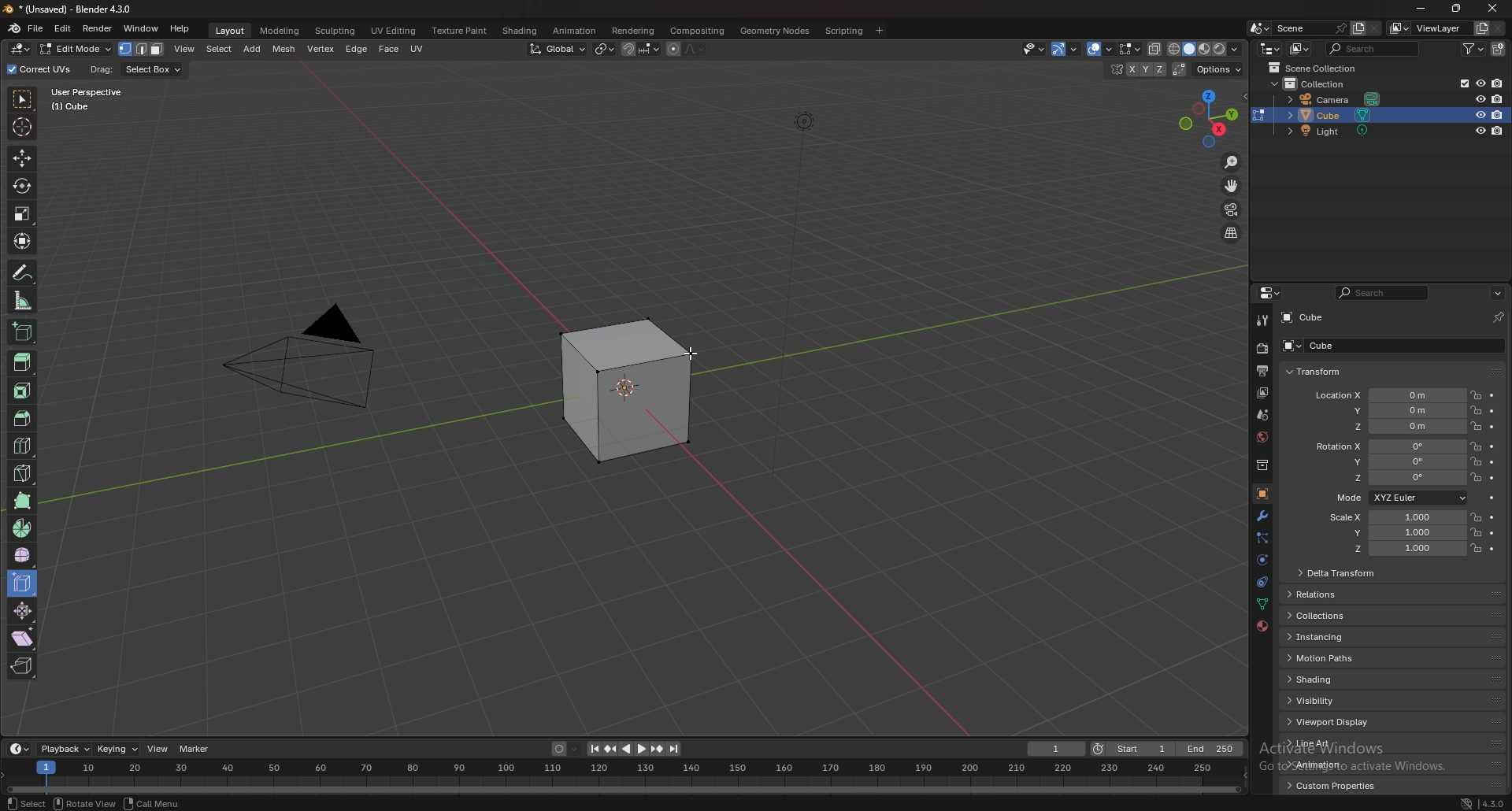 This screenshot has width=1512, height=811. I want to click on loop cut, so click(22, 446).